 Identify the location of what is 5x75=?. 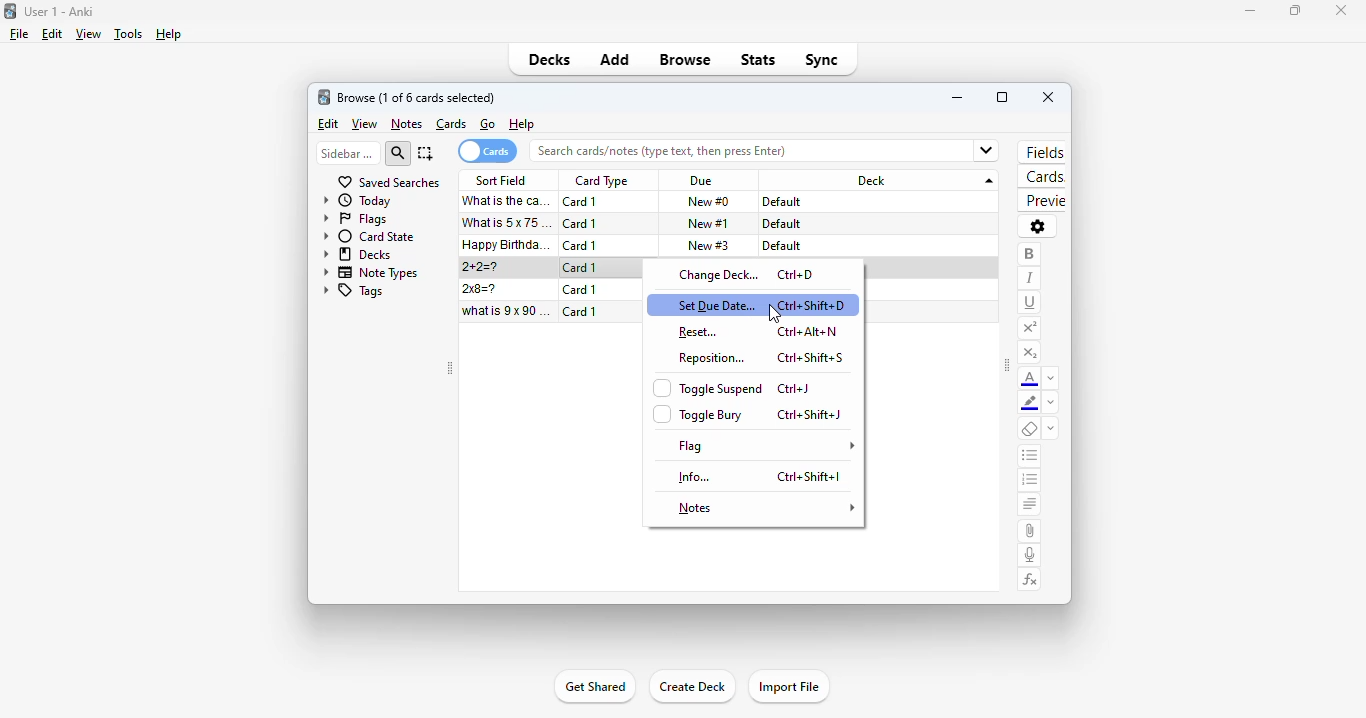
(509, 222).